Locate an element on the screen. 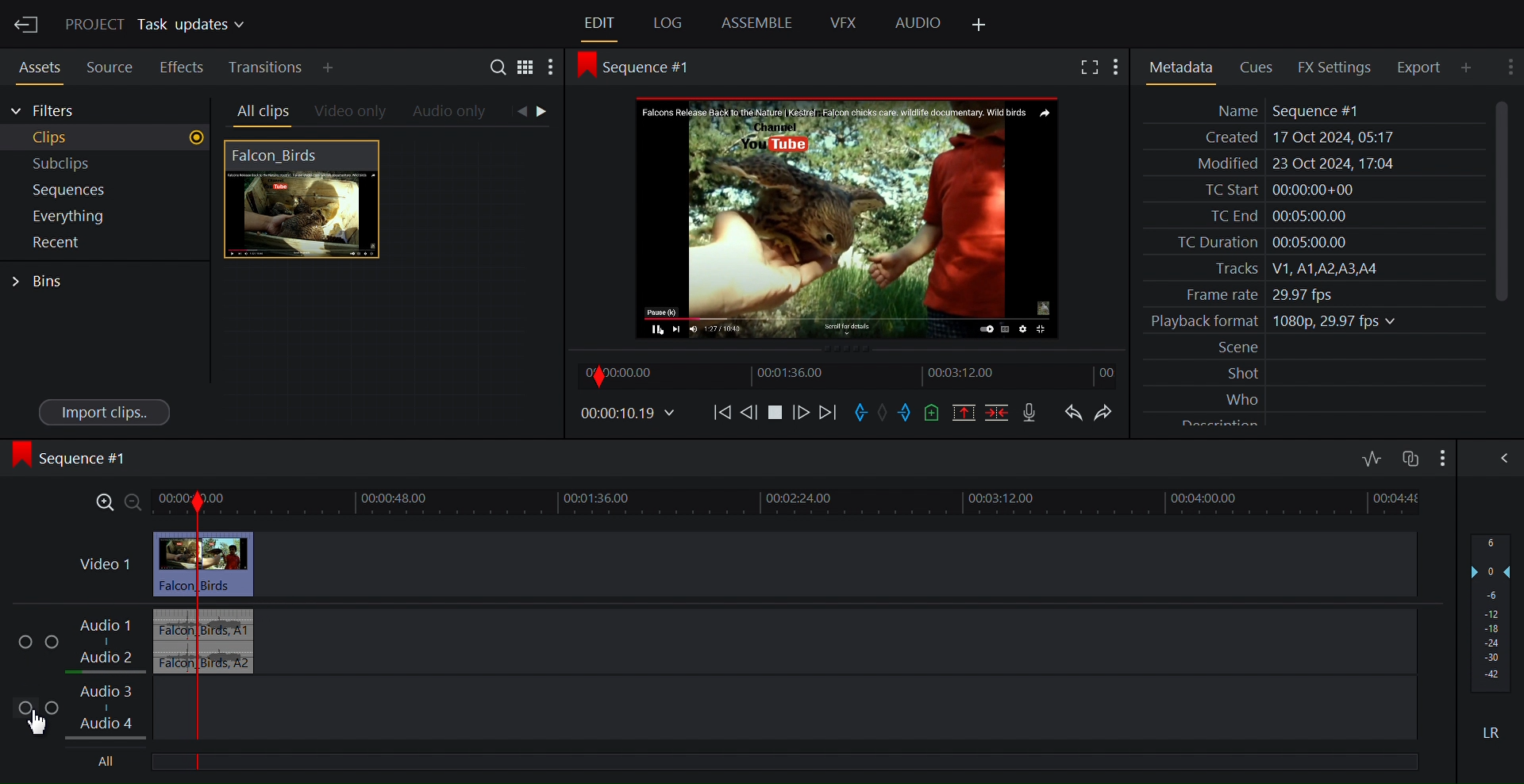 The height and width of the screenshot is (784, 1524). Show/Hide audio full mix is located at coordinates (1441, 457).